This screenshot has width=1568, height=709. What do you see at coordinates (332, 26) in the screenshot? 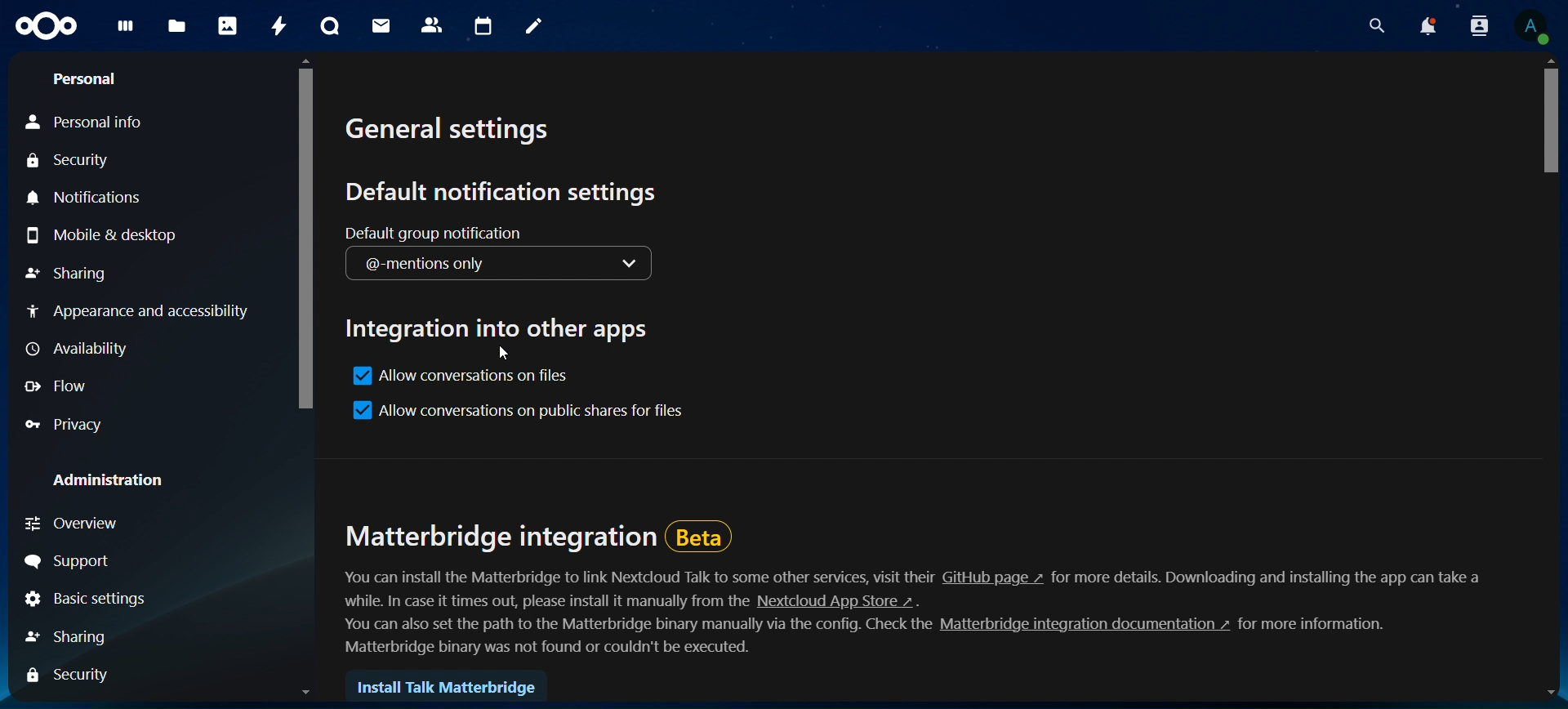
I see `talk` at bounding box center [332, 26].